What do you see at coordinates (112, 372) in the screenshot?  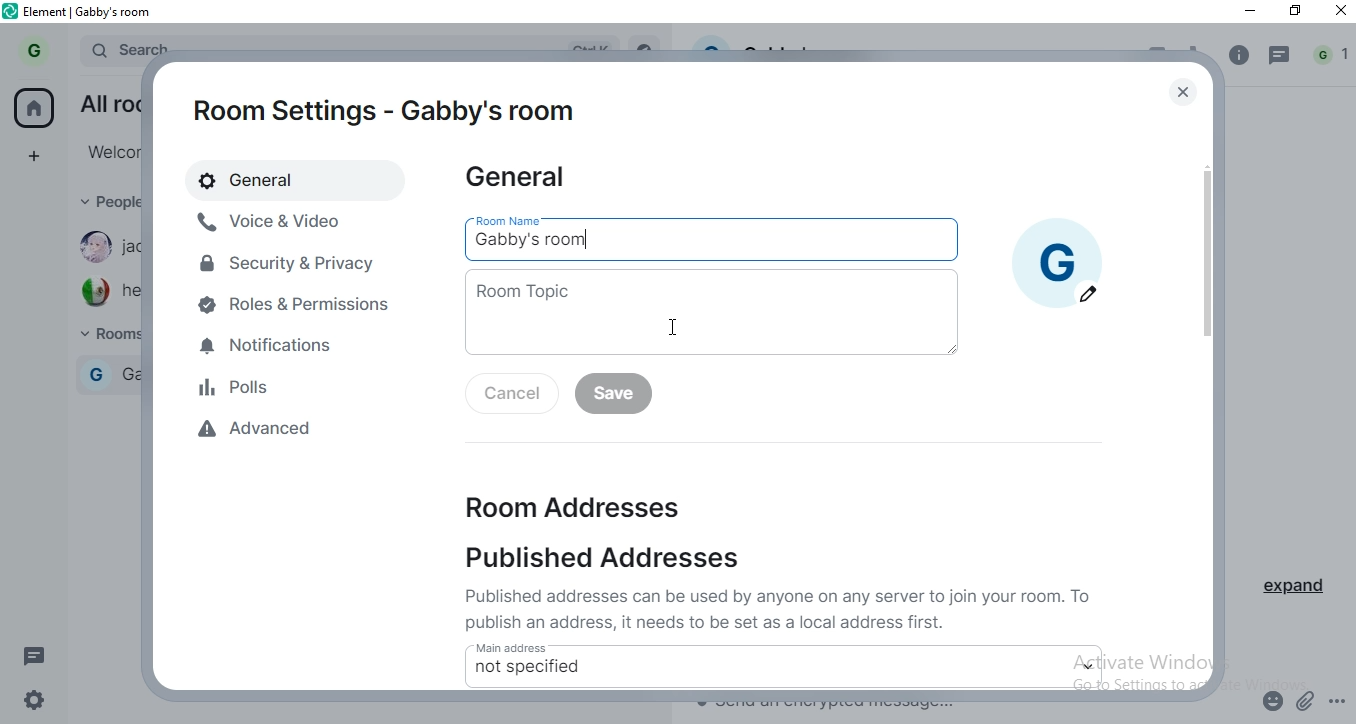 I see `gabby room` at bounding box center [112, 372].